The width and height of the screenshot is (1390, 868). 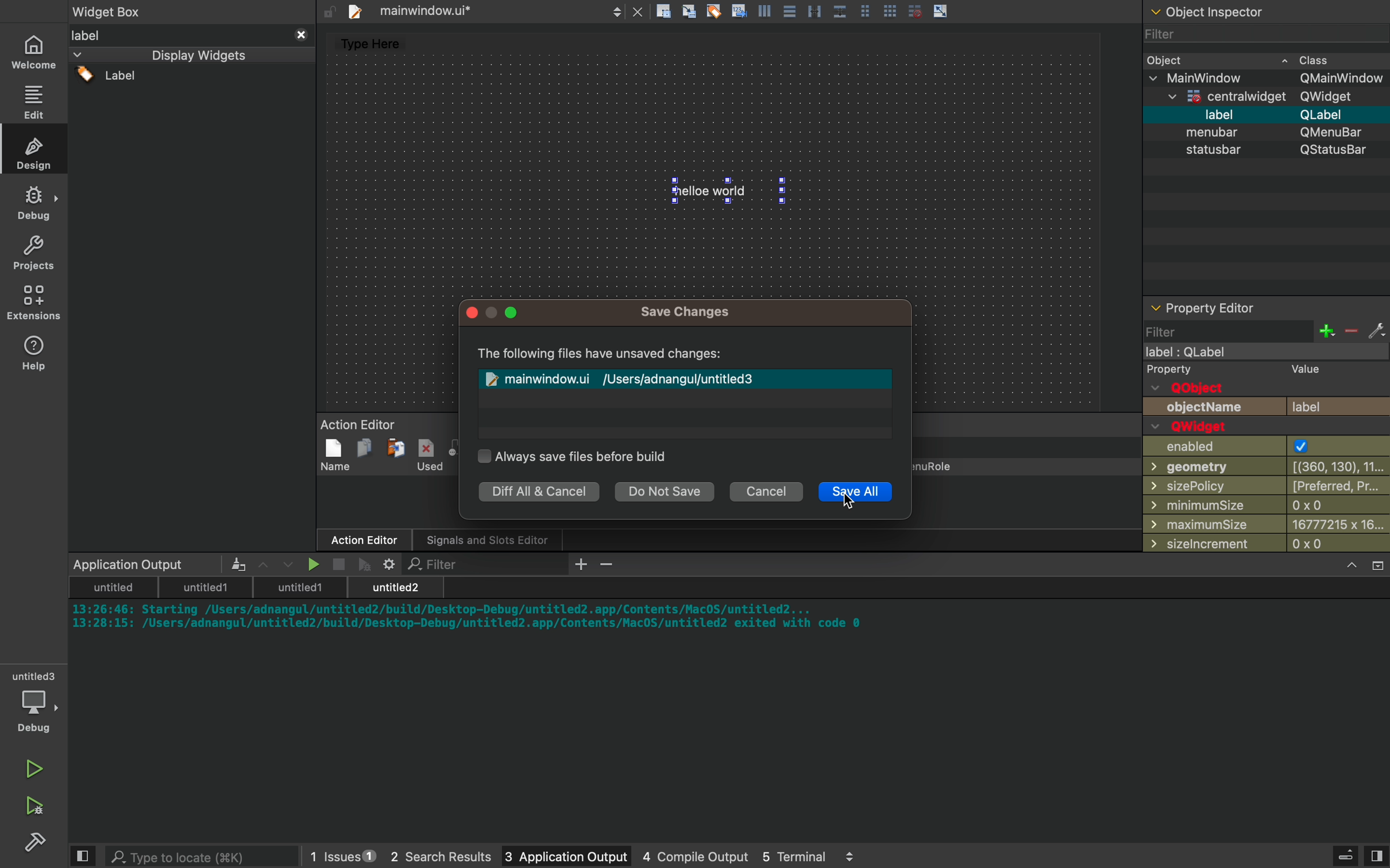 What do you see at coordinates (34, 203) in the screenshot?
I see `` at bounding box center [34, 203].